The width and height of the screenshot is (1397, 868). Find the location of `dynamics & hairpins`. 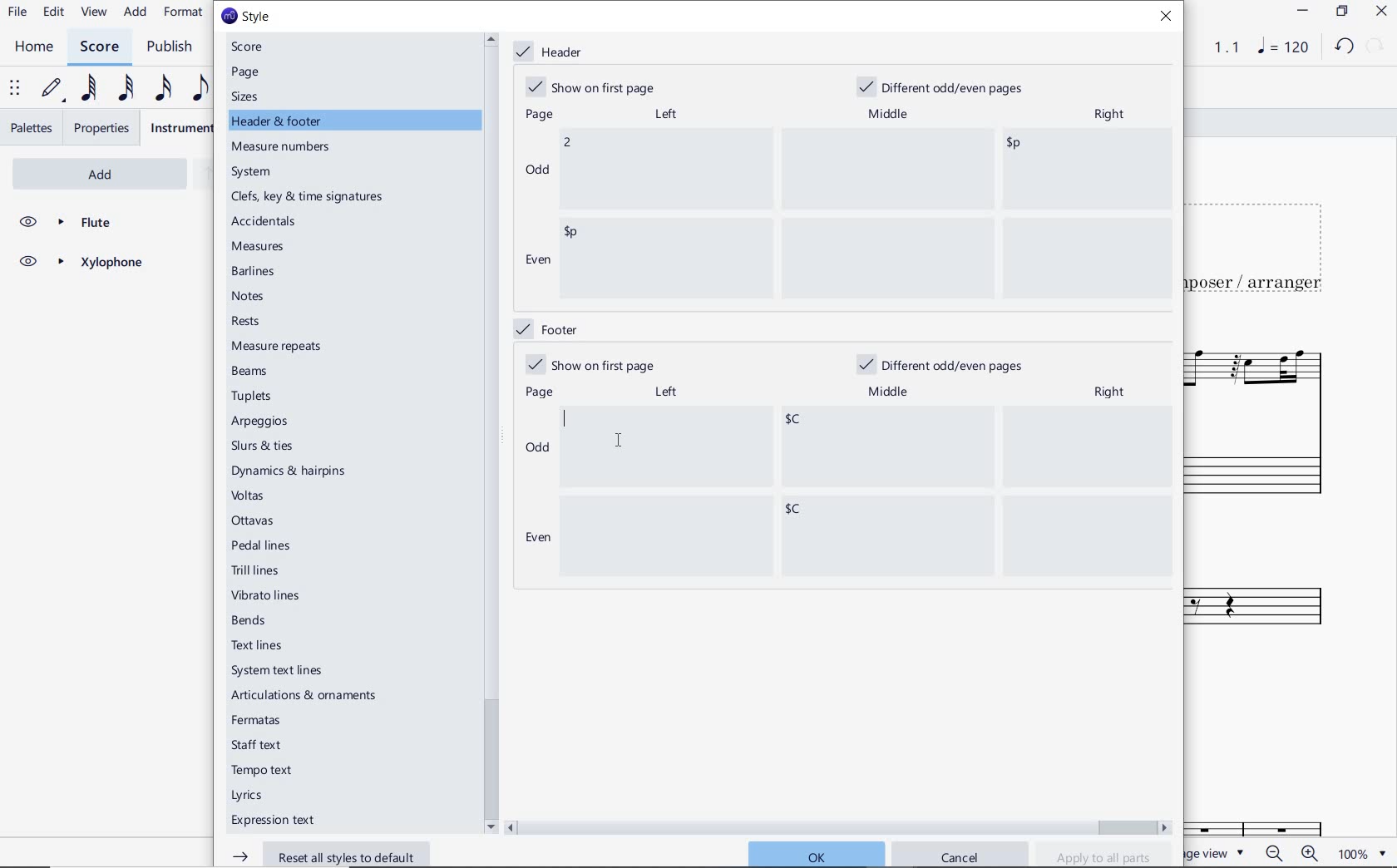

dynamics & hairpins is located at coordinates (292, 471).